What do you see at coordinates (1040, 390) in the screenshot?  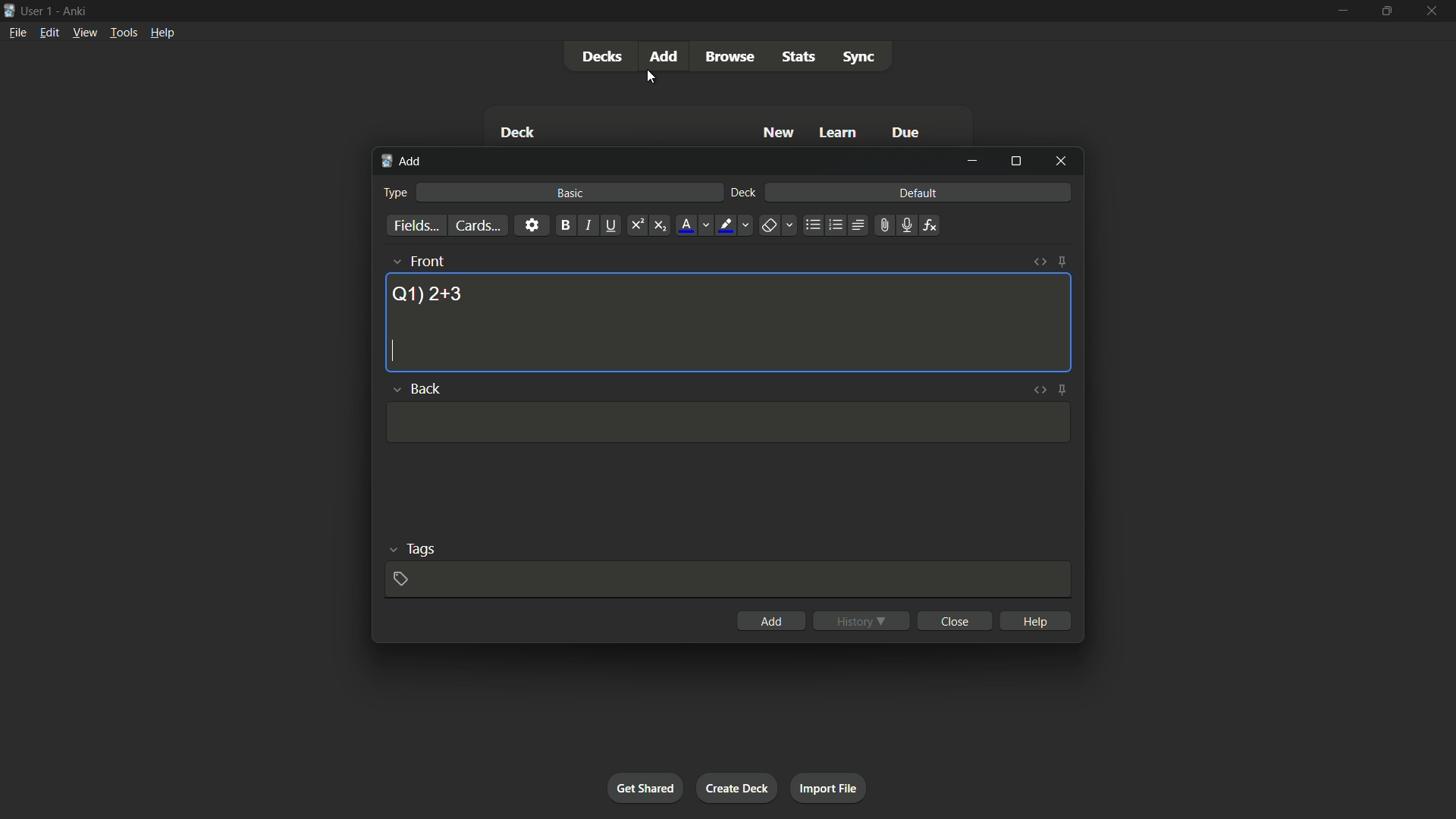 I see `toggle html editor` at bounding box center [1040, 390].